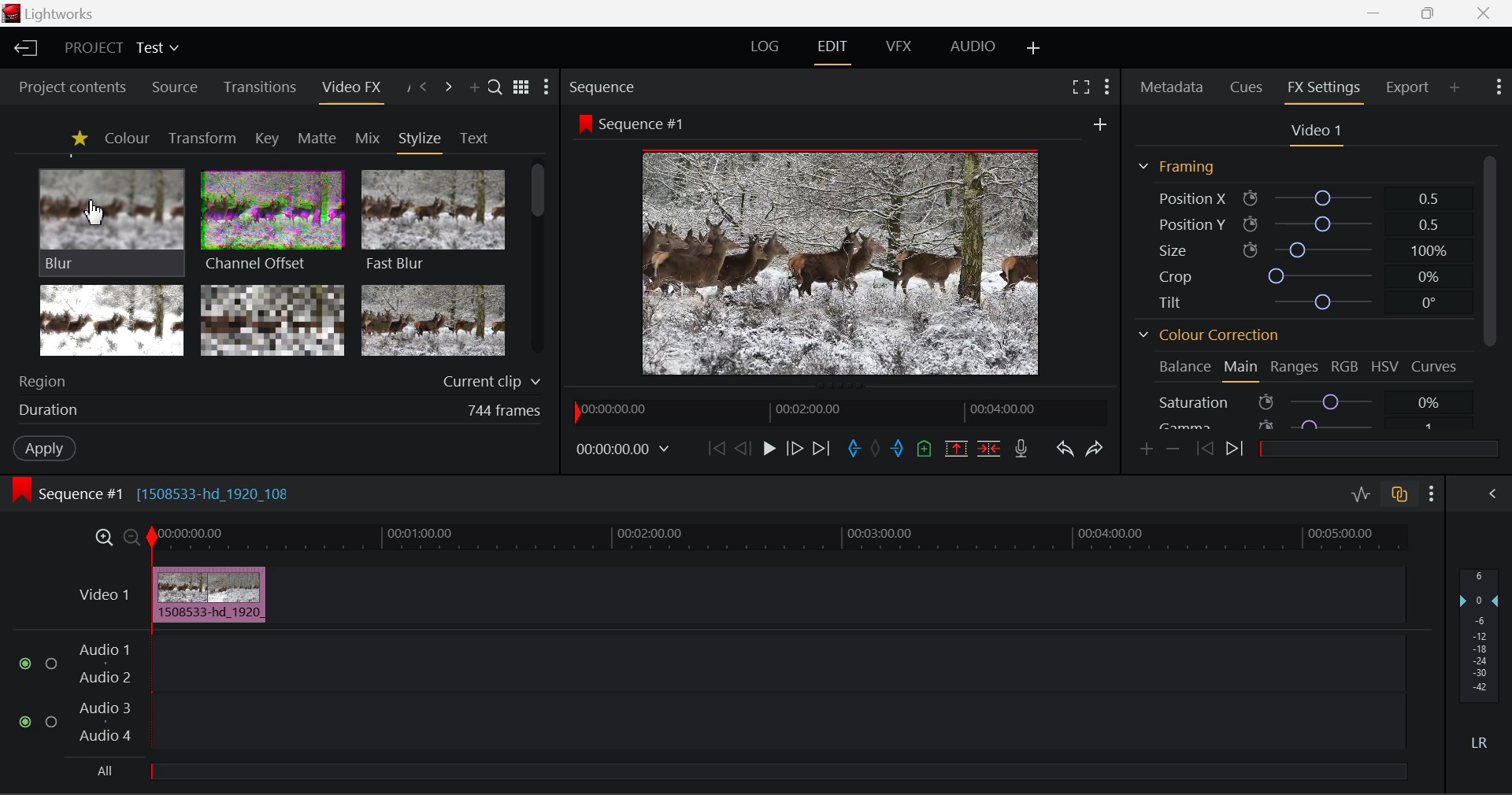 The height and width of the screenshot is (795, 1512). I want to click on Show Settings, so click(550, 87).